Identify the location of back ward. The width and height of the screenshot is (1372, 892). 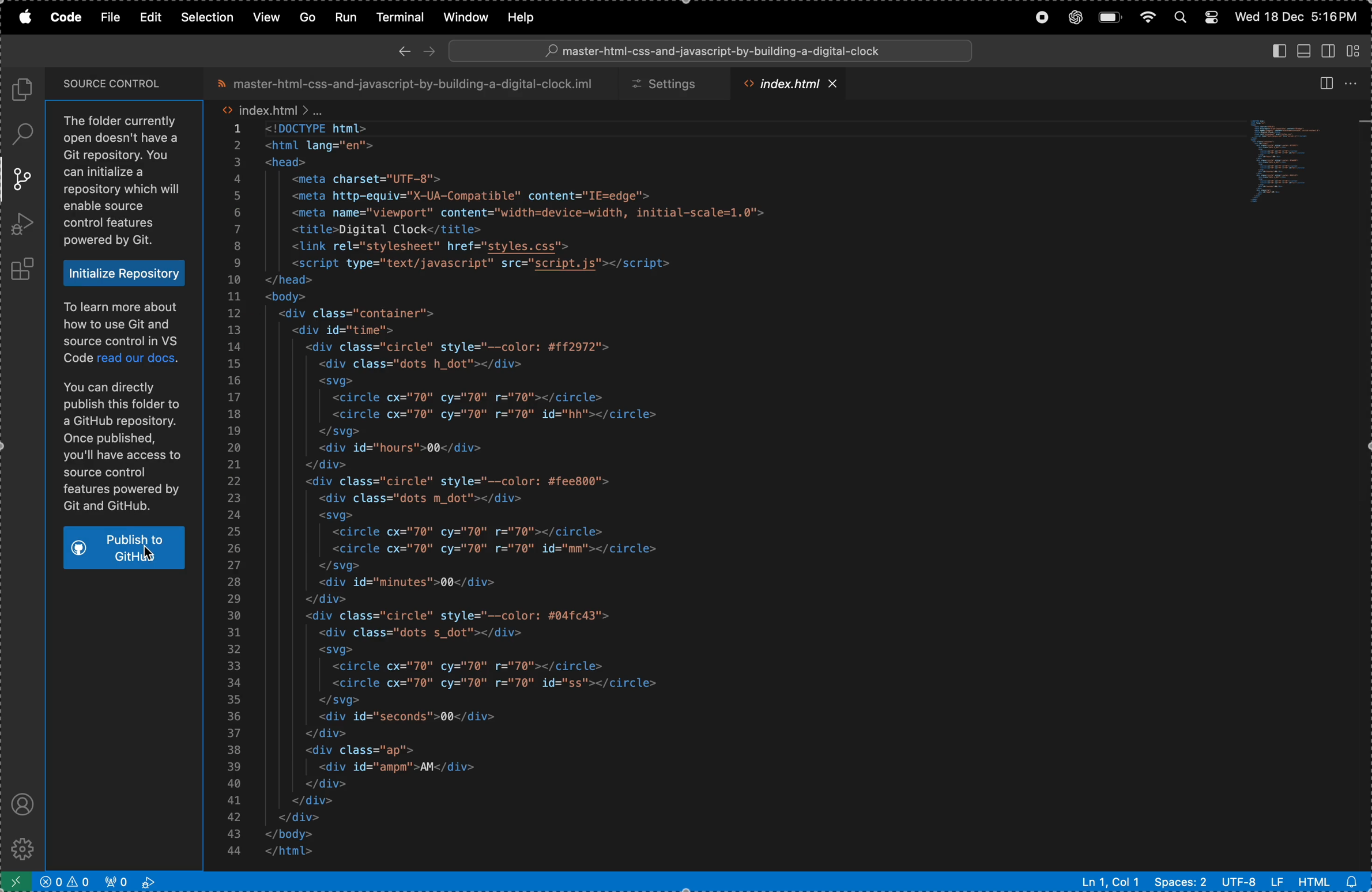
(405, 51).